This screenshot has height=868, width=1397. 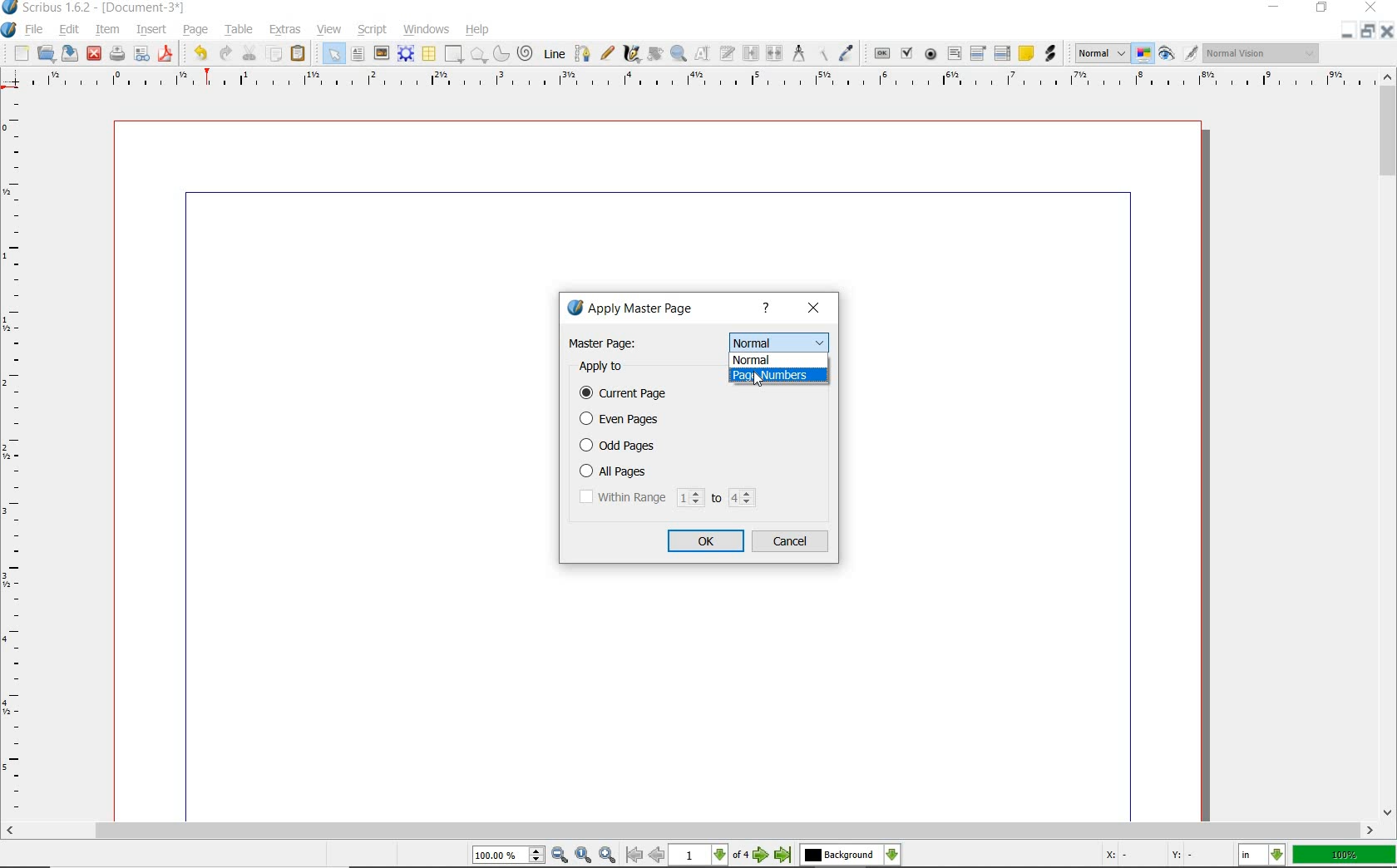 I want to click on Previous Page, so click(x=657, y=856).